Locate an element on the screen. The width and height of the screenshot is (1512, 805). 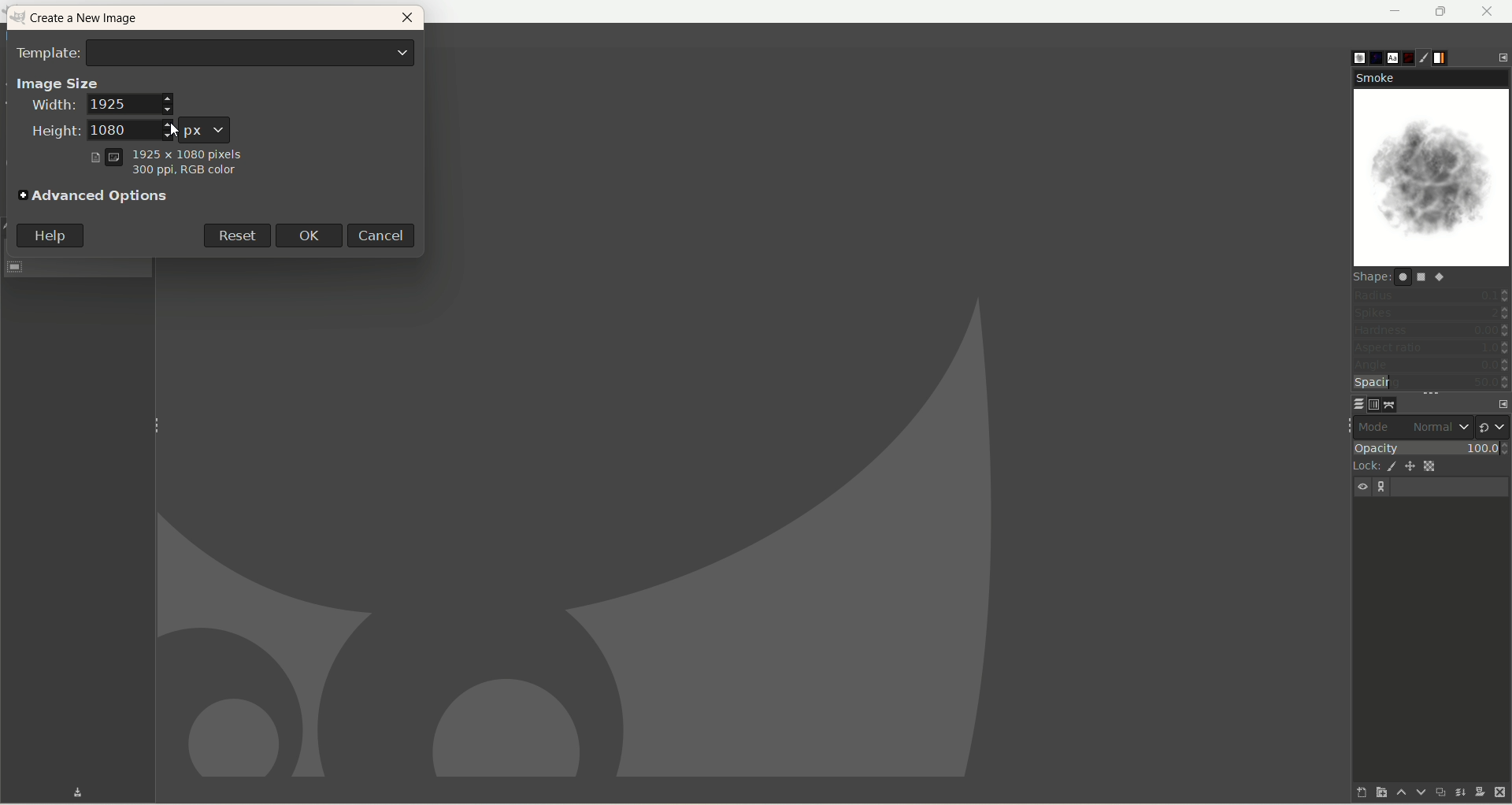
layers is located at coordinates (1349, 403).